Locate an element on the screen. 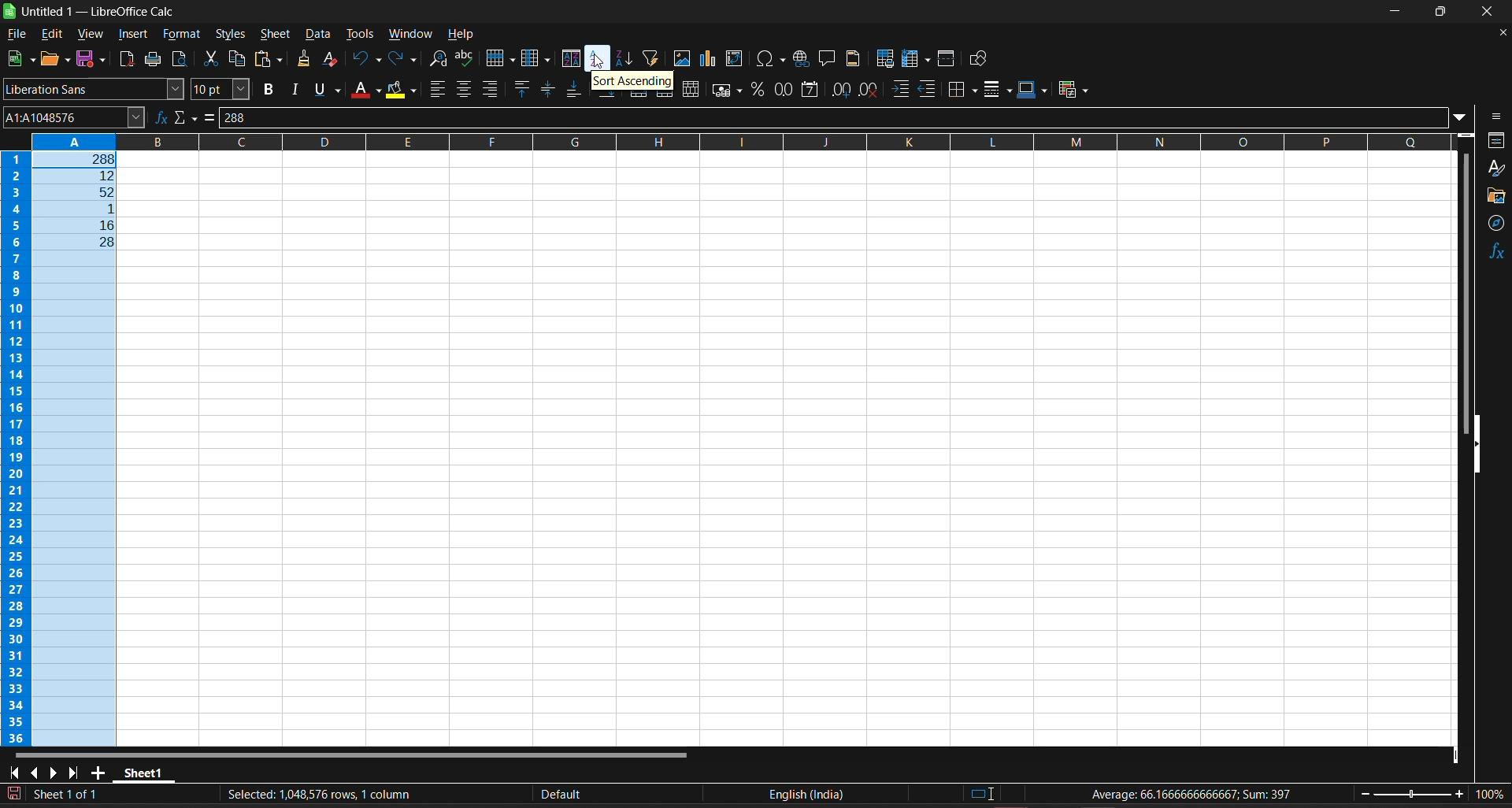 The width and height of the screenshot is (1512, 808). navigator is located at coordinates (1497, 224).